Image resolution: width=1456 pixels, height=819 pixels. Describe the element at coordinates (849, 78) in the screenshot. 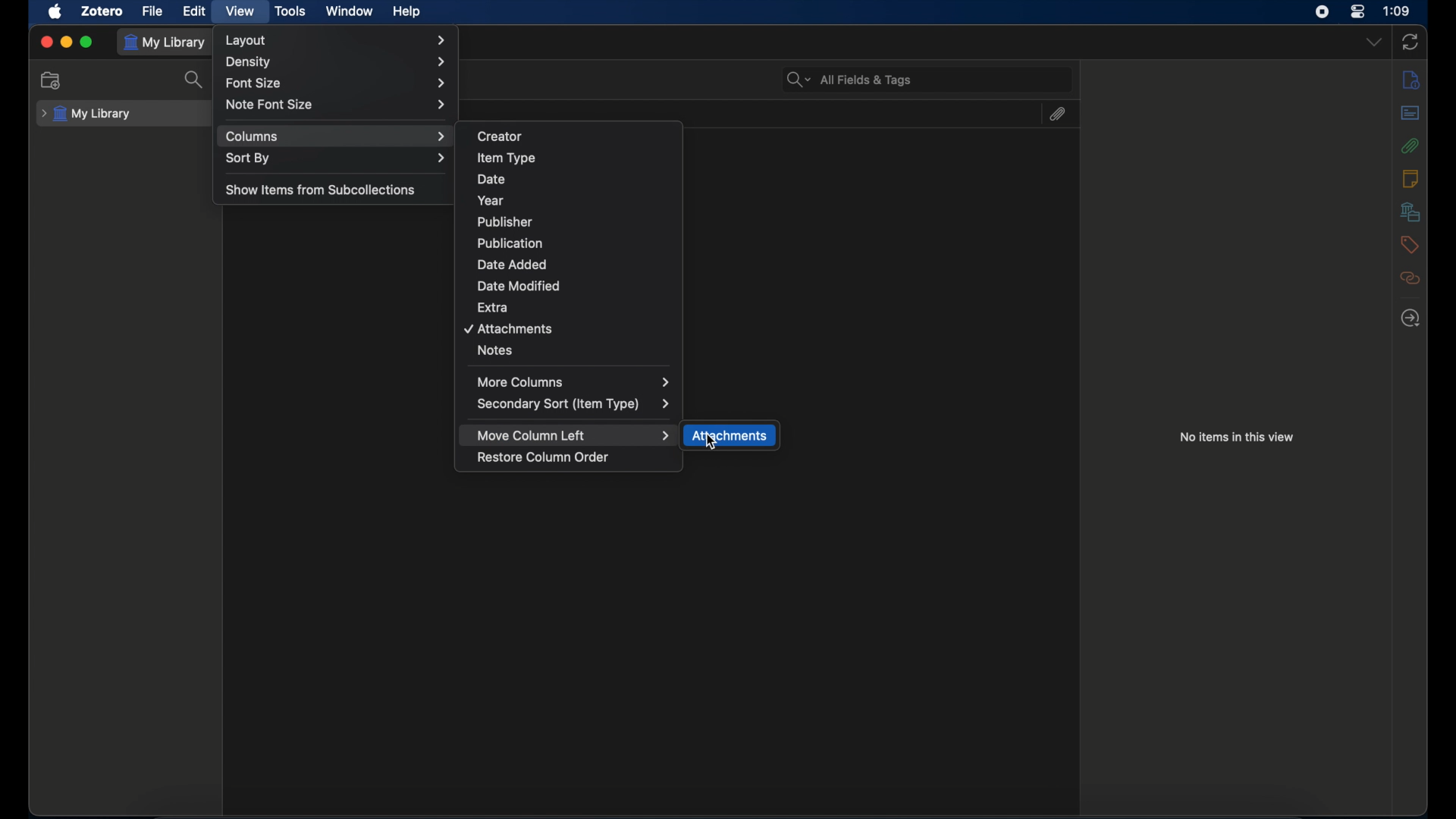

I see `search bar` at that location.